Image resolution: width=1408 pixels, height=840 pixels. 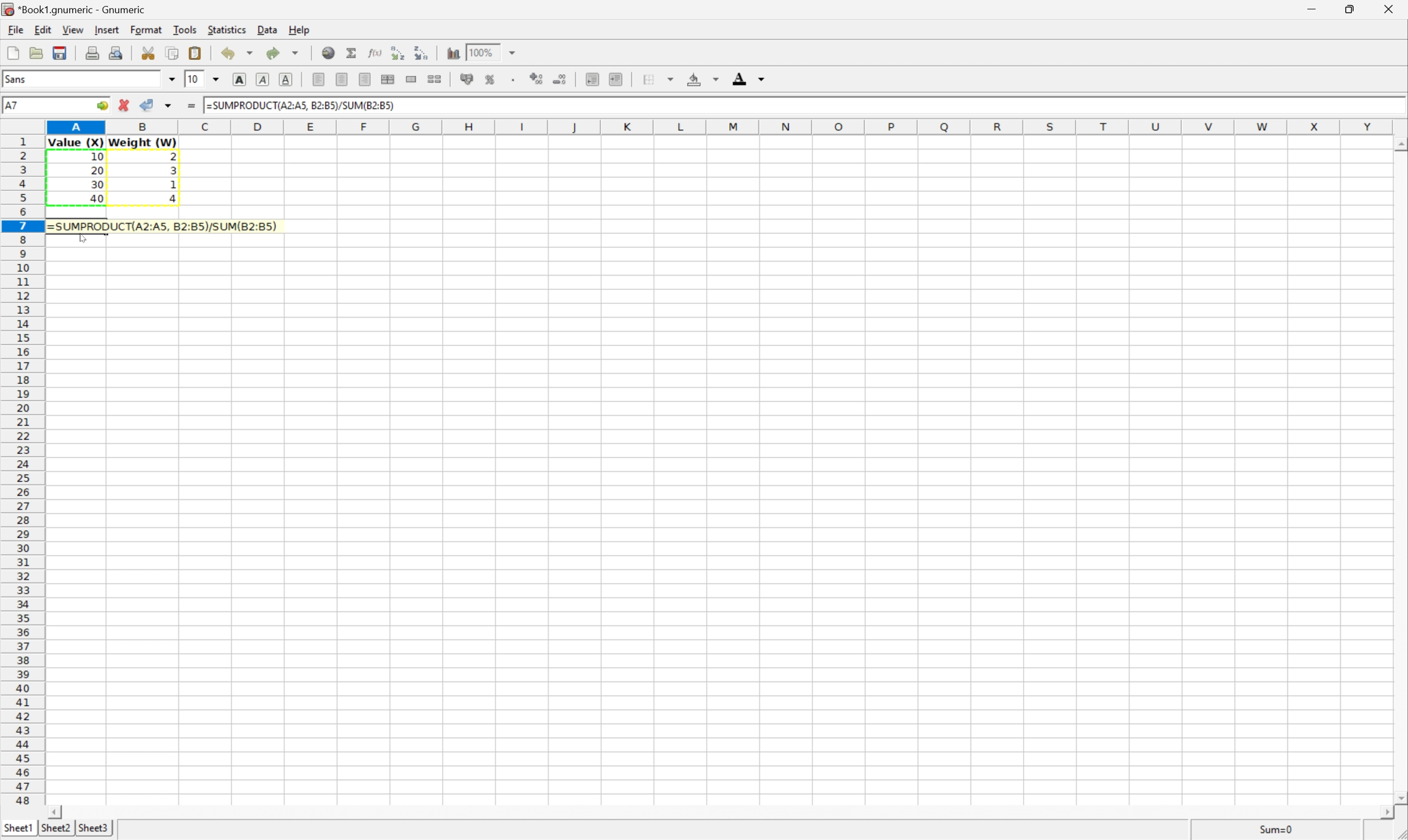 What do you see at coordinates (562, 79) in the screenshot?
I see `Decrease the number of decimals displayed` at bounding box center [562, 79].